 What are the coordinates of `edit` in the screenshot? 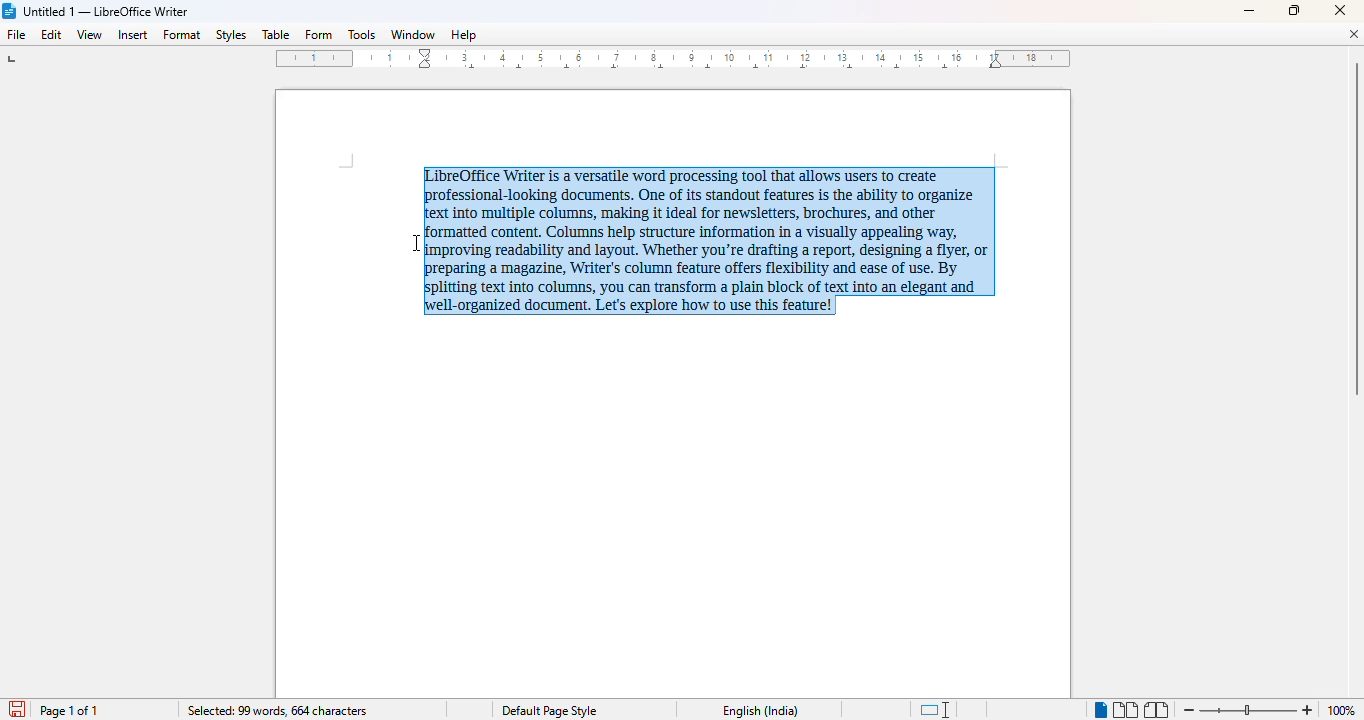 It's located at (52, 34).